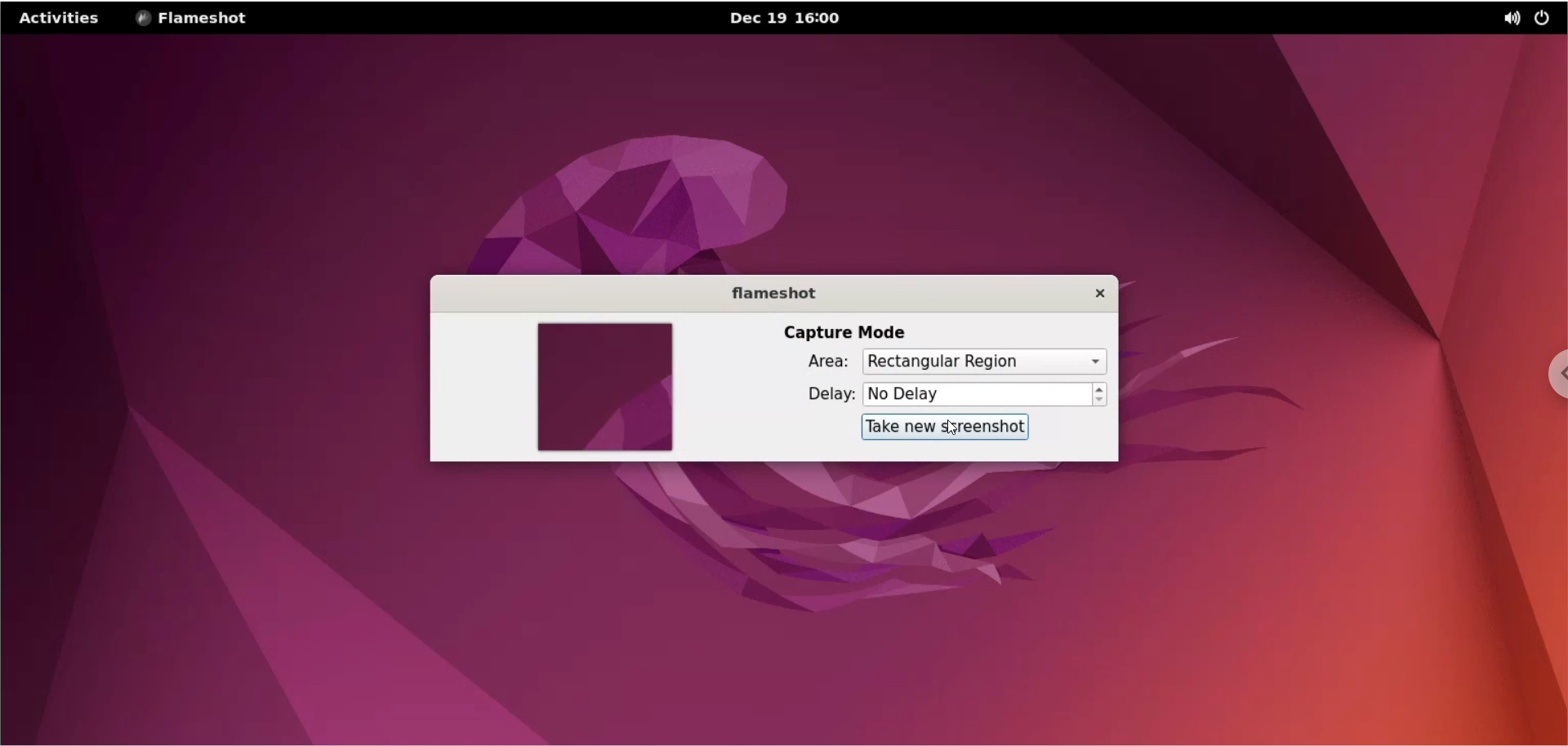  What do you see at coordinates (1099, 295) in the screenshot?
I see `close` at bounding box center [1099, 295].